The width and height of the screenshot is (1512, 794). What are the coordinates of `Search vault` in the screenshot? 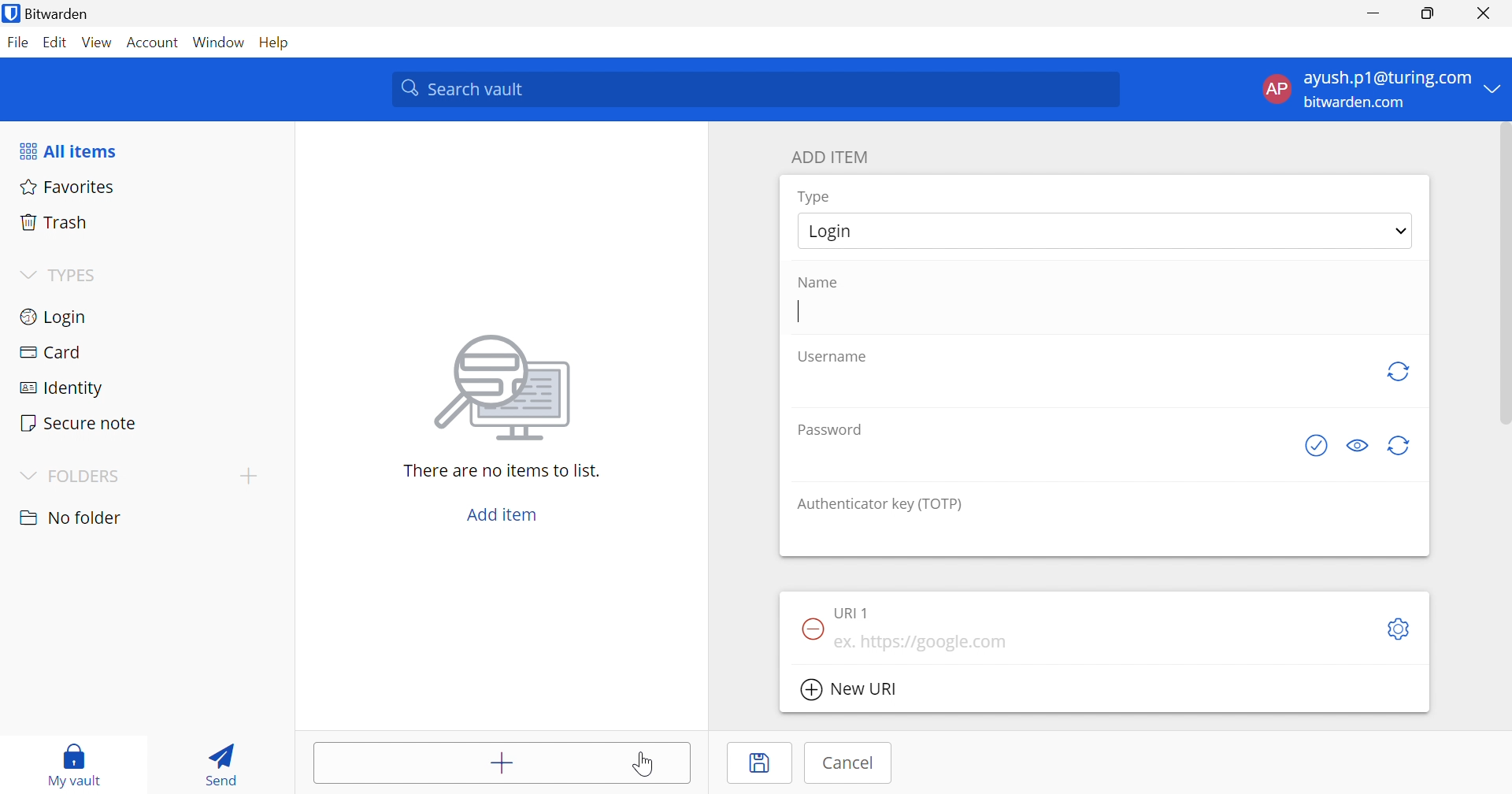 It's located at (759, 90).